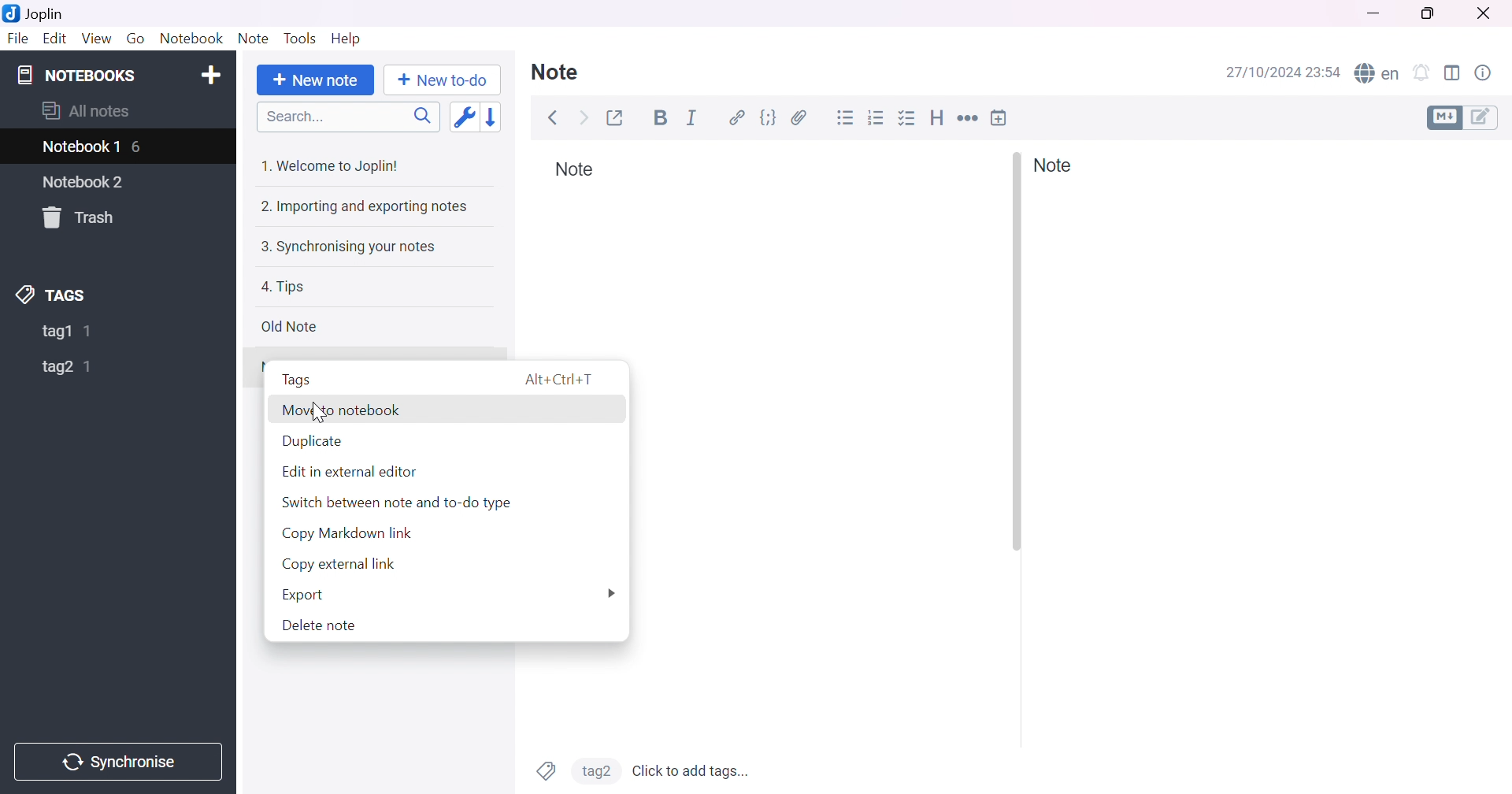 This screenshot has width=1512, height=794. Describe the element at coordinates (1015, 351) in the screenshot. I see `` at that location.